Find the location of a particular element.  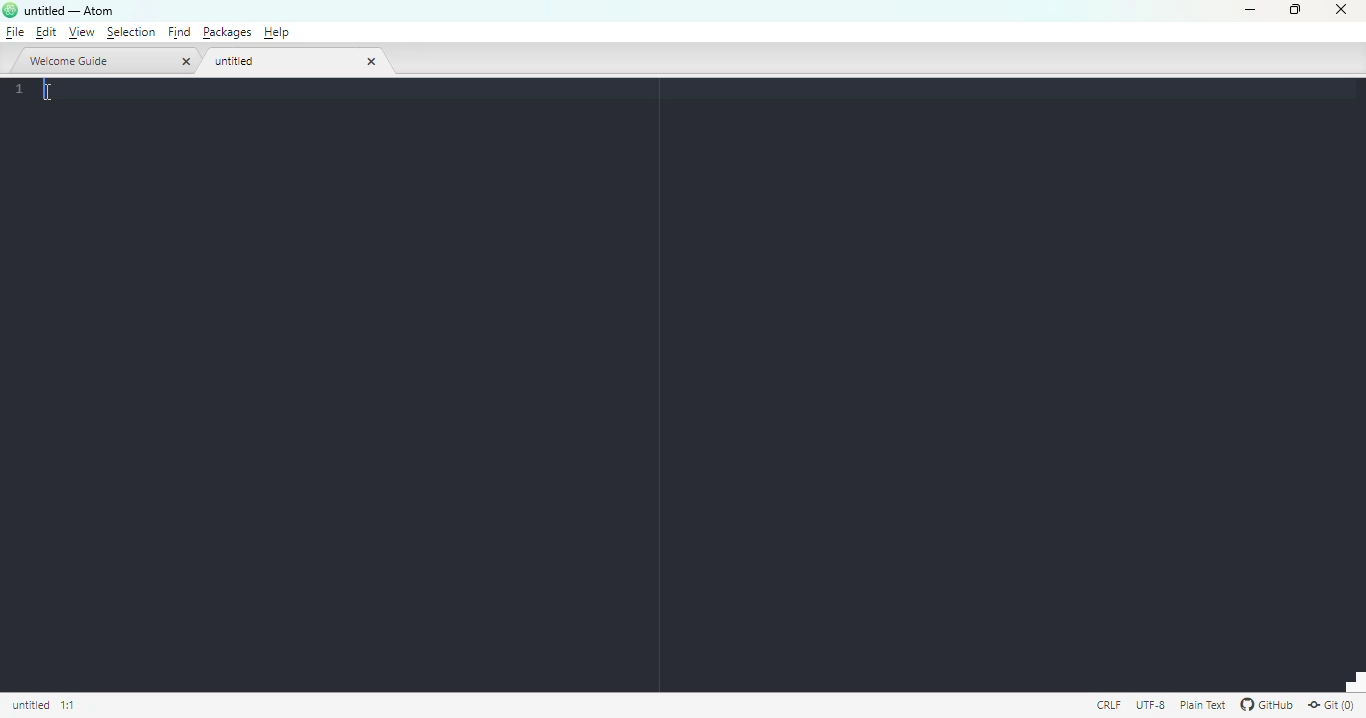

untitled is located at coordinates (284, 61).